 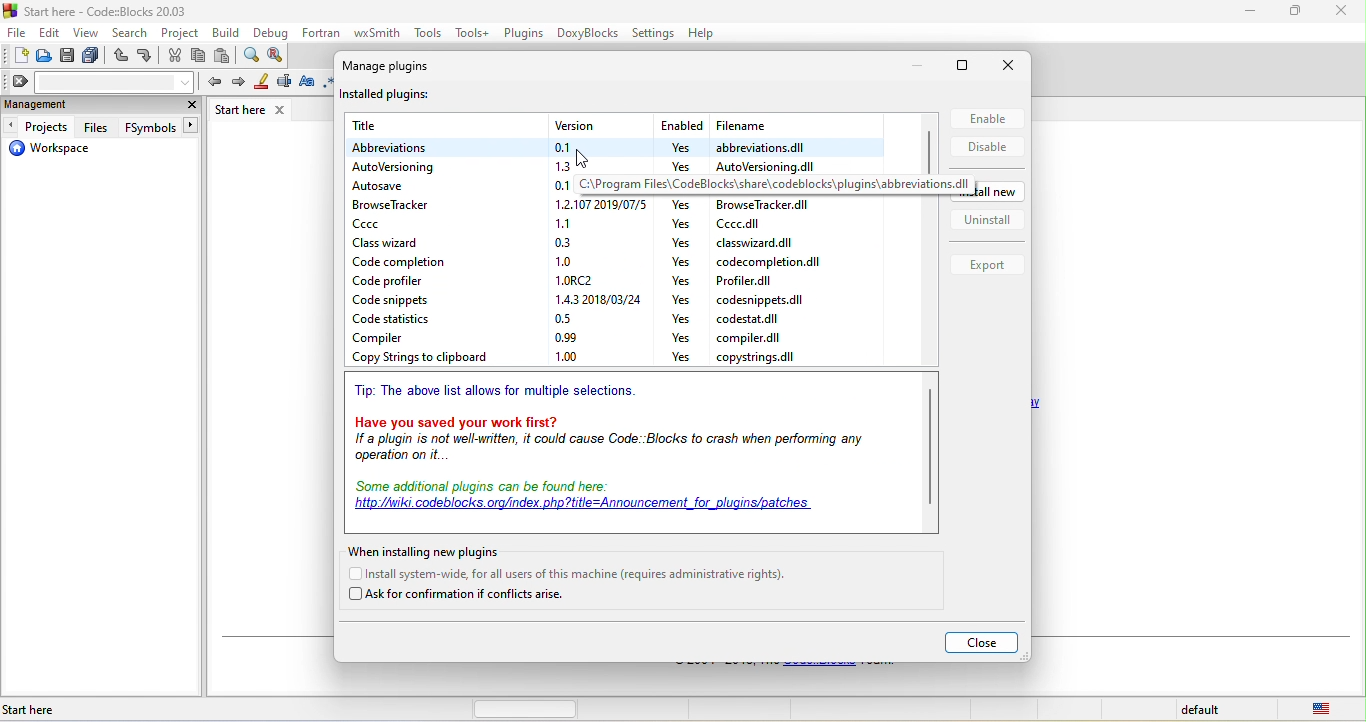 I want to click on yes, so click(x=686, y=242).